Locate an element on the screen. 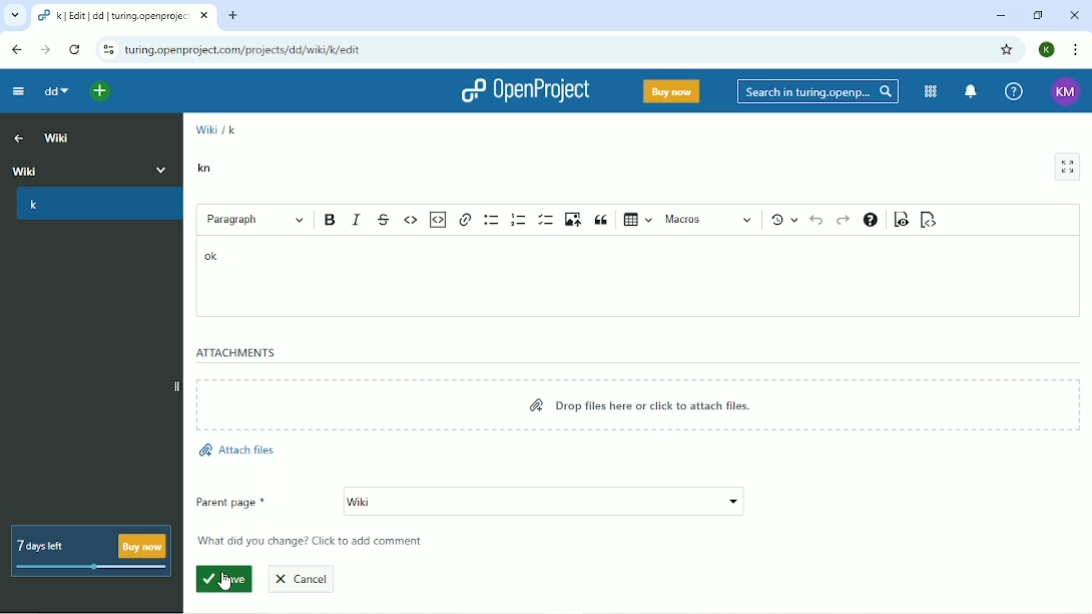  Switch to markdown mode is located at coordinates (929, 219).